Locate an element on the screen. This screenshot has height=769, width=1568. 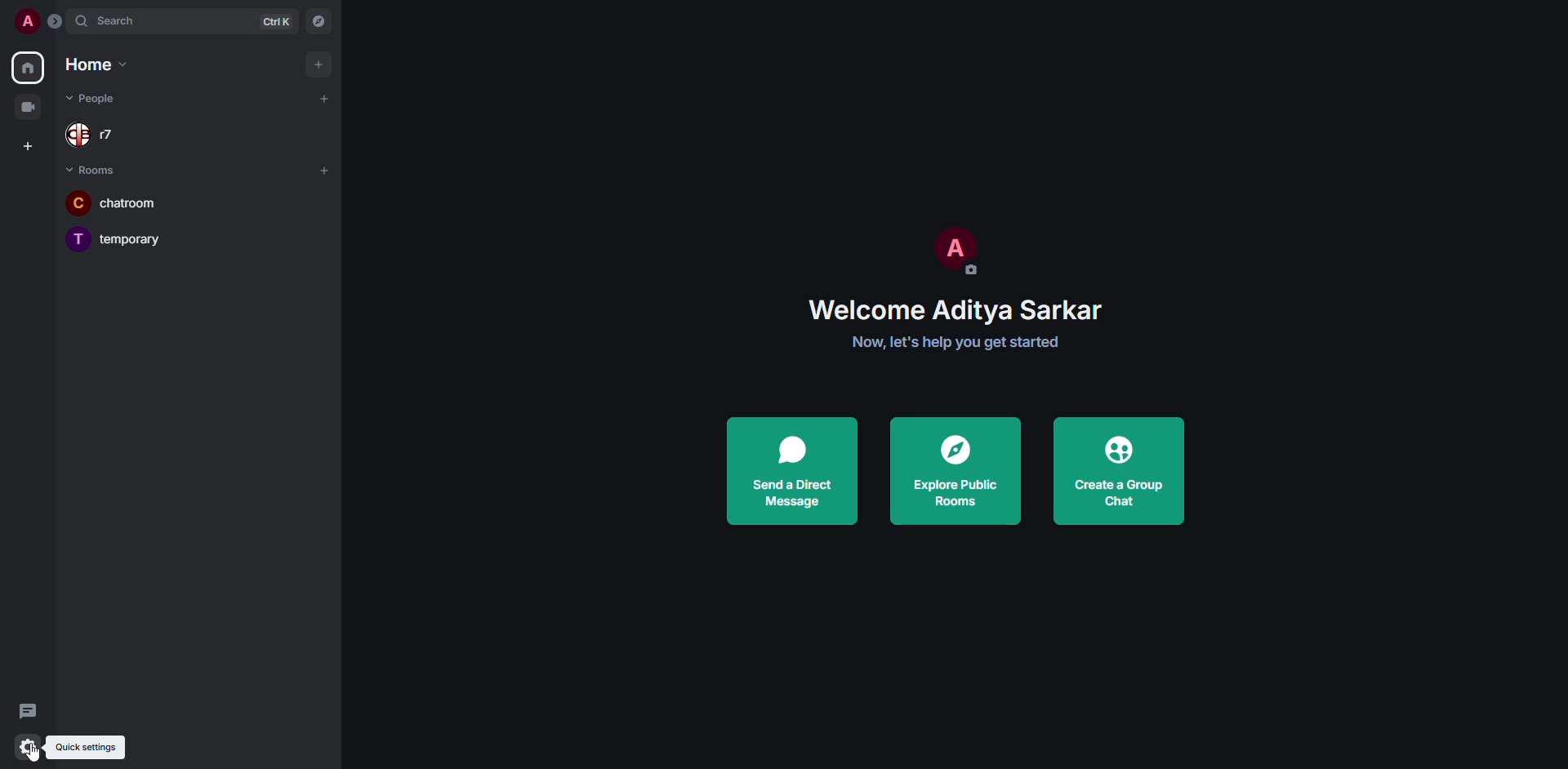
search is located at coordinates (120, 21).